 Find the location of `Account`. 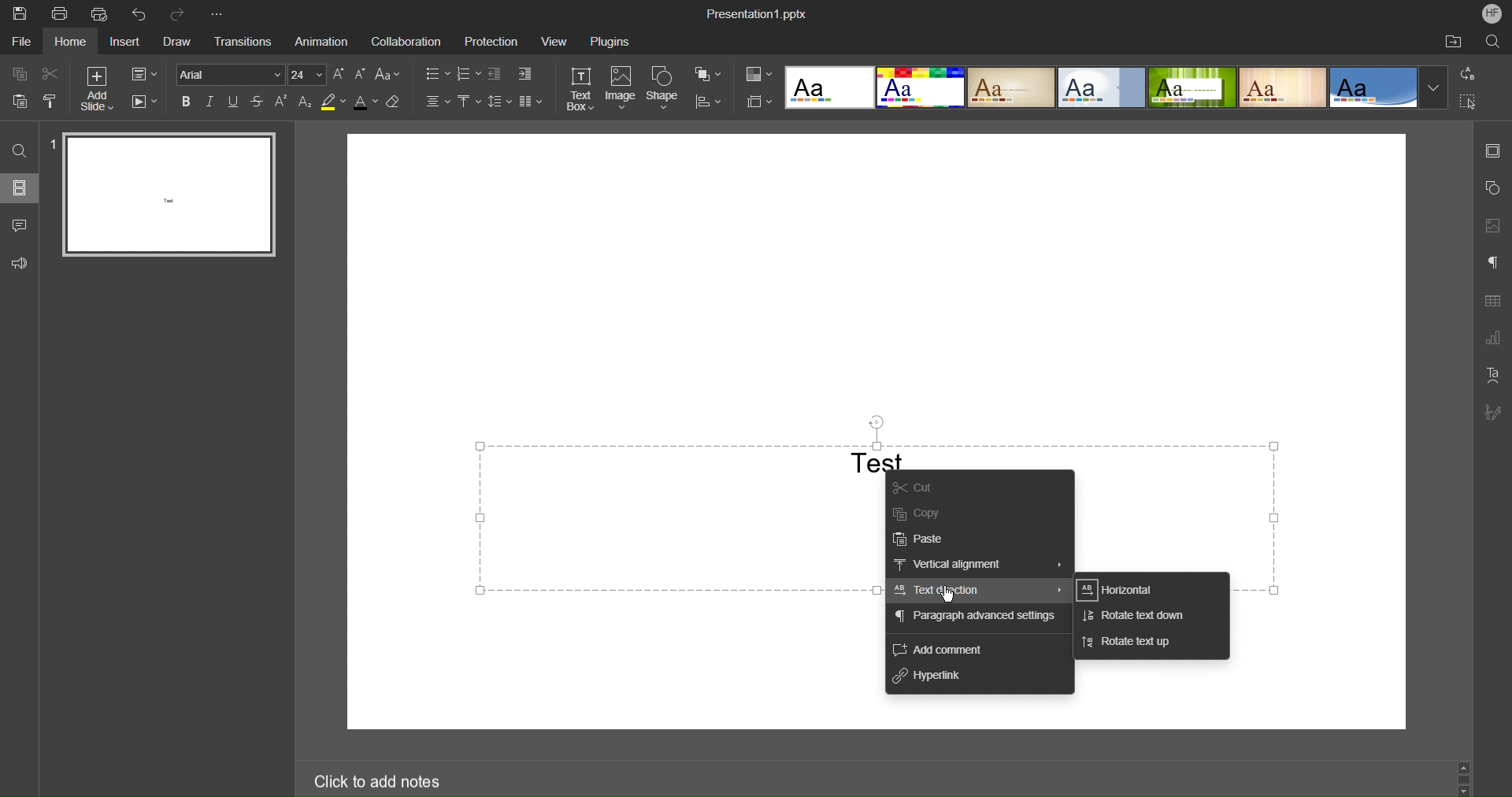

Account is located at coordinates (1492, 15).